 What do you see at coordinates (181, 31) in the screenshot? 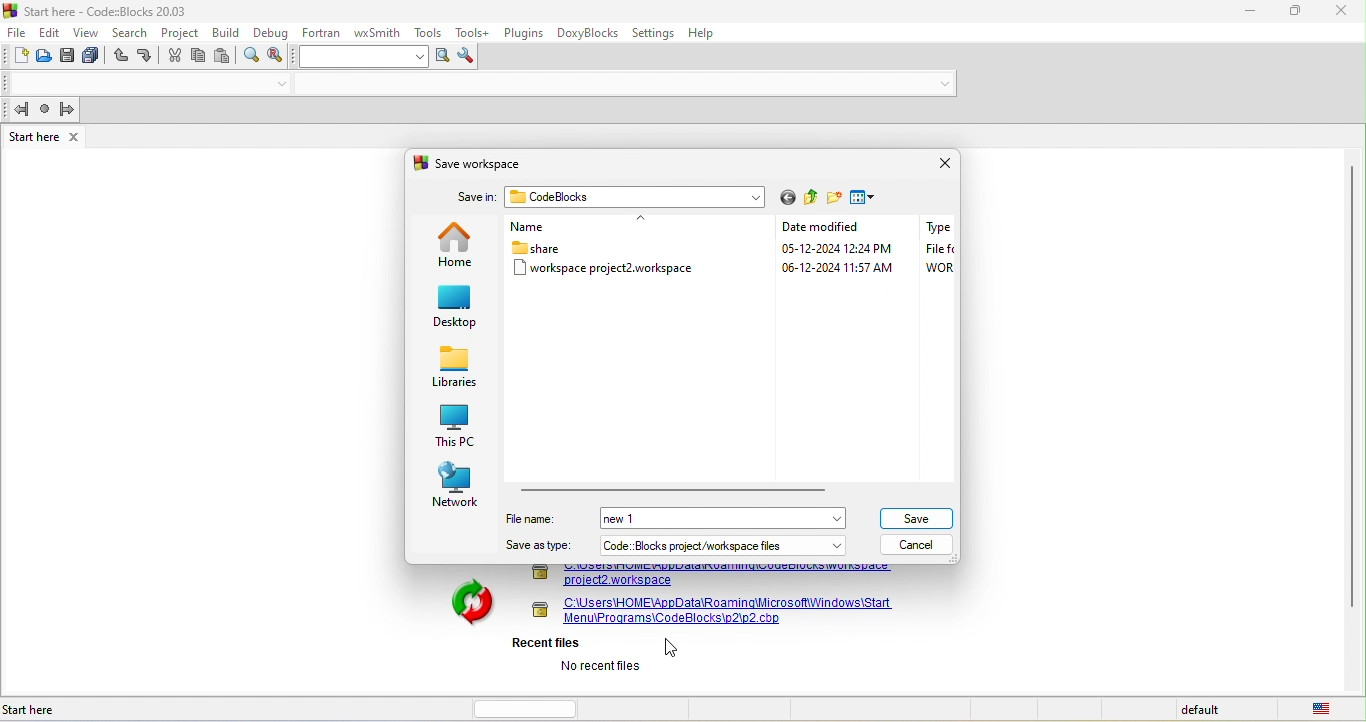
I see `project` at bounding box center [181, 31].